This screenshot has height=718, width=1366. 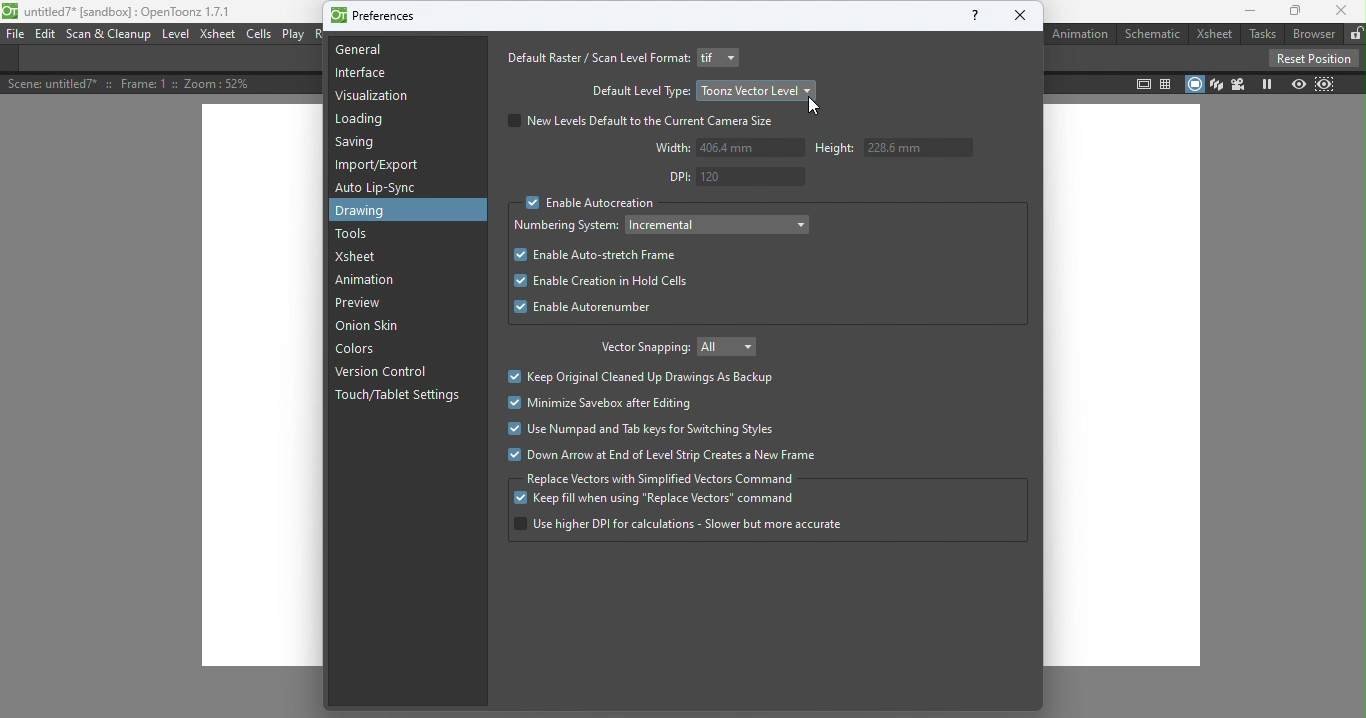 What do you see at coordinates (598, 403) in the screenshot?
I see `Minimize savebox after editing` at bounding box center [598, 403].